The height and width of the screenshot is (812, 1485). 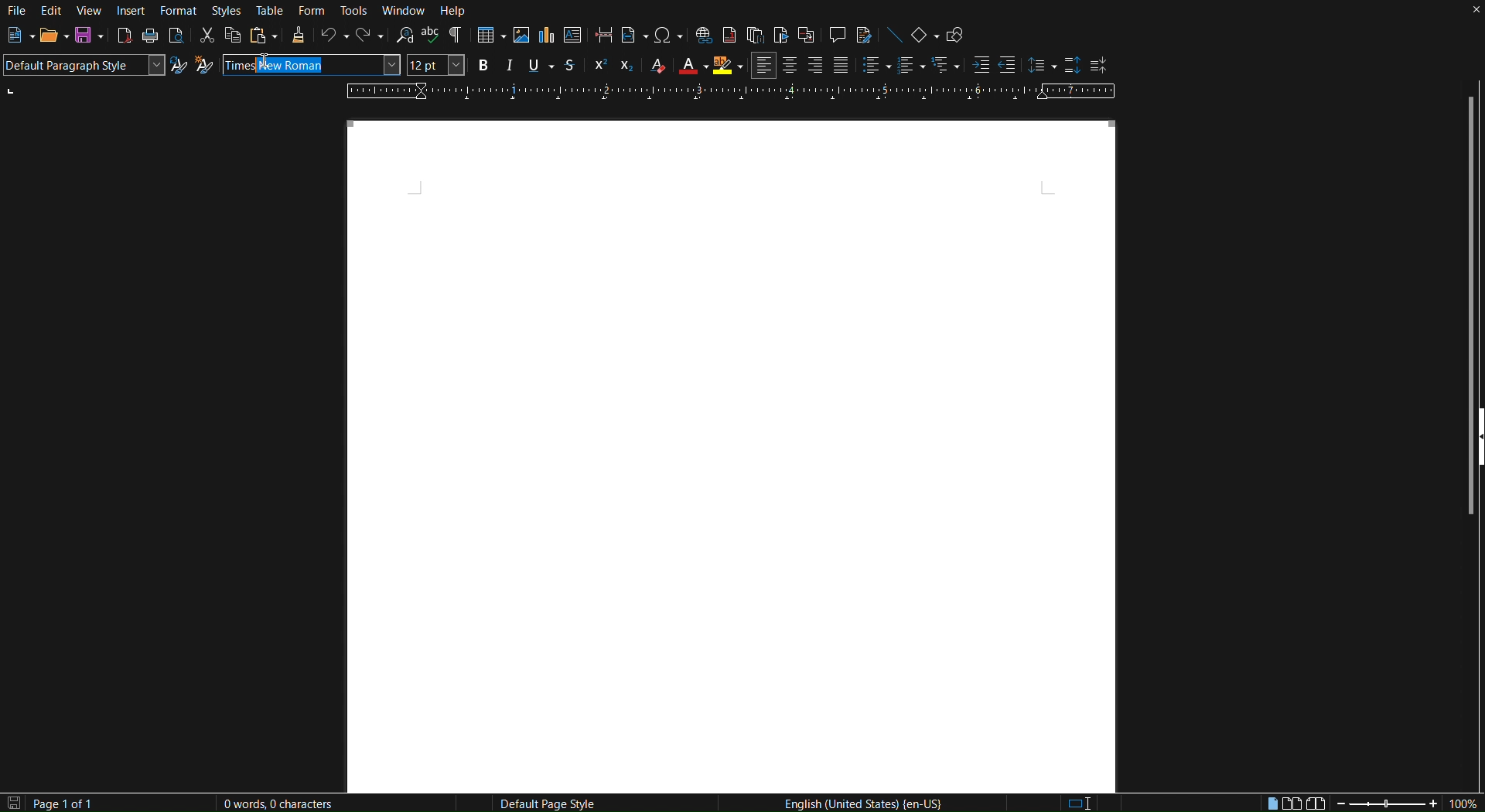 I want to click on The document has not been modified since the last save., so click(x=11, y=803).